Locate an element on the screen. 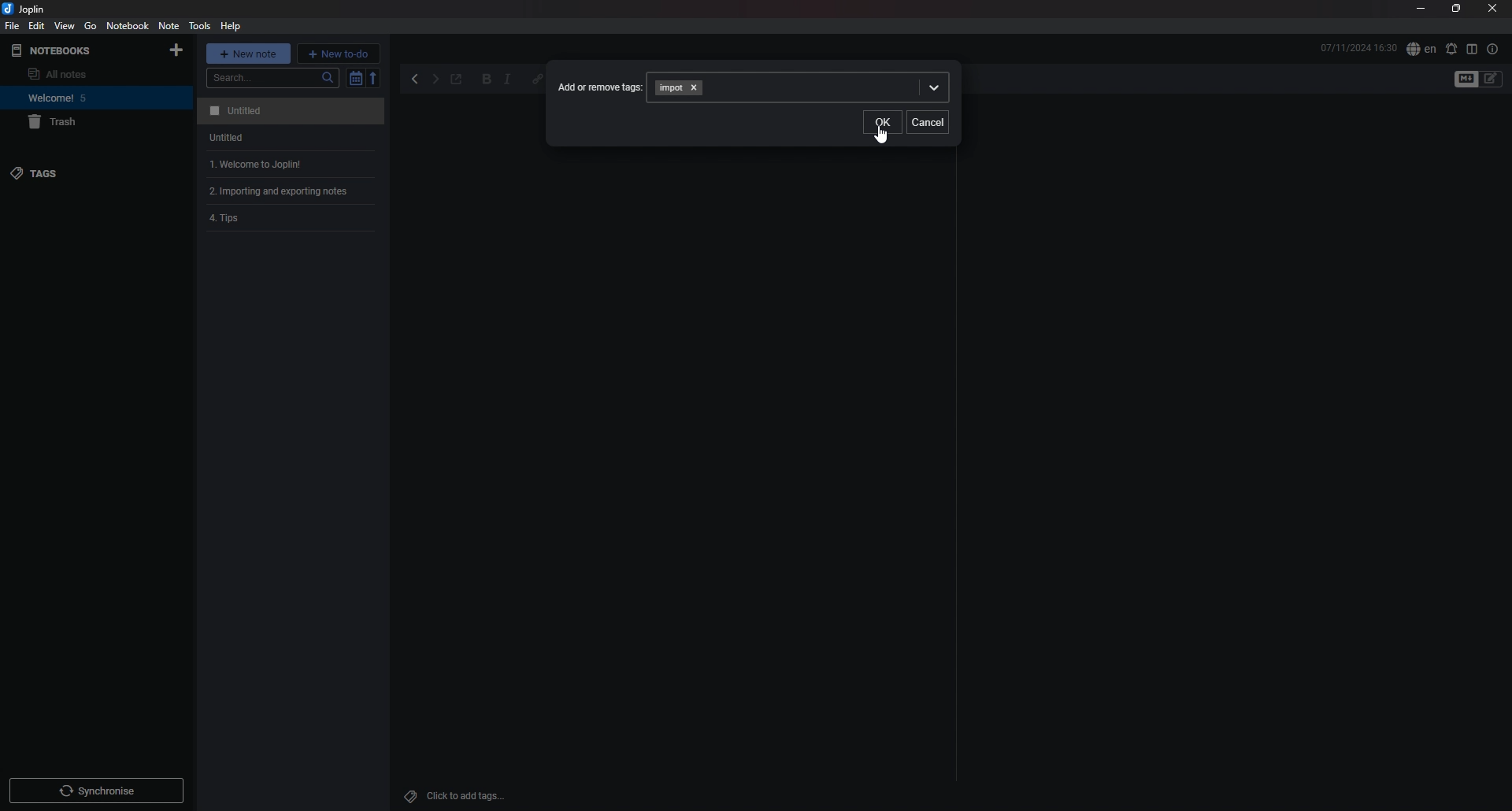  note is located at coordinates (169, 25).